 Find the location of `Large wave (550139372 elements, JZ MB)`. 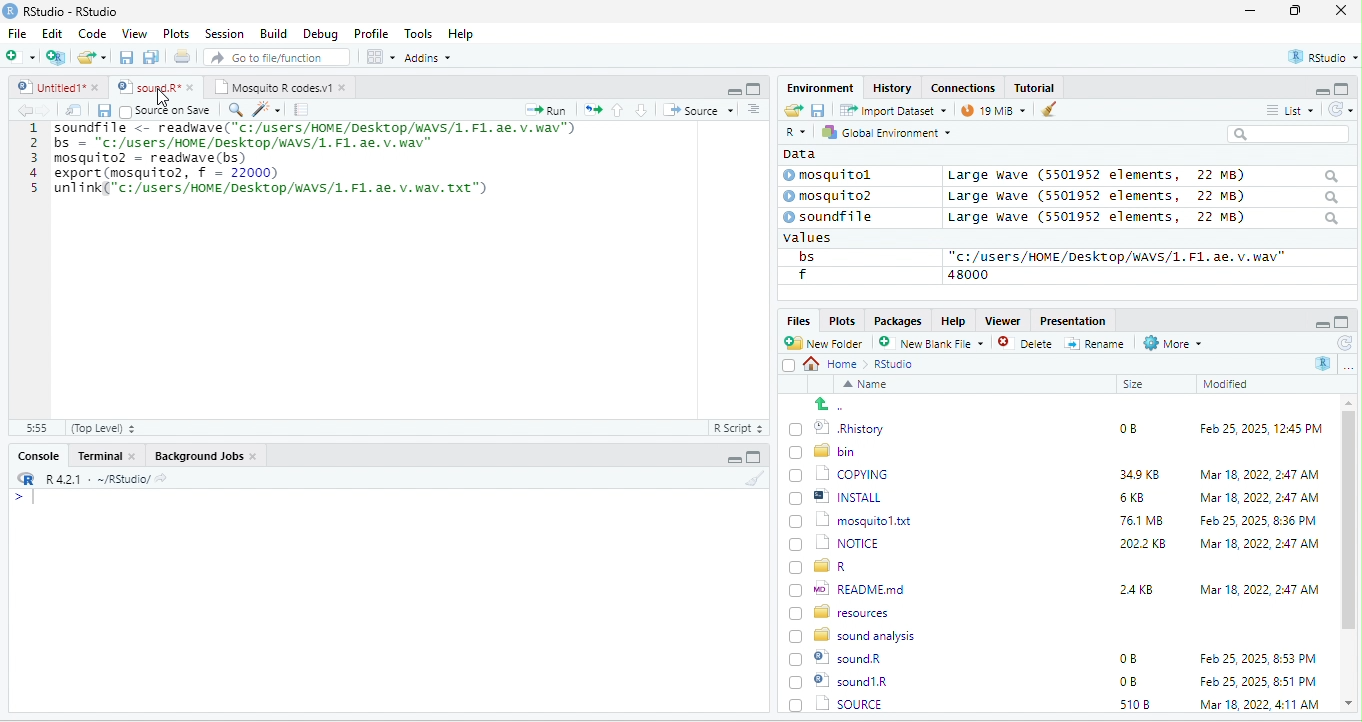

Large wave (550139372 elements, JZ MB) is located at coordinates (1145, 196).